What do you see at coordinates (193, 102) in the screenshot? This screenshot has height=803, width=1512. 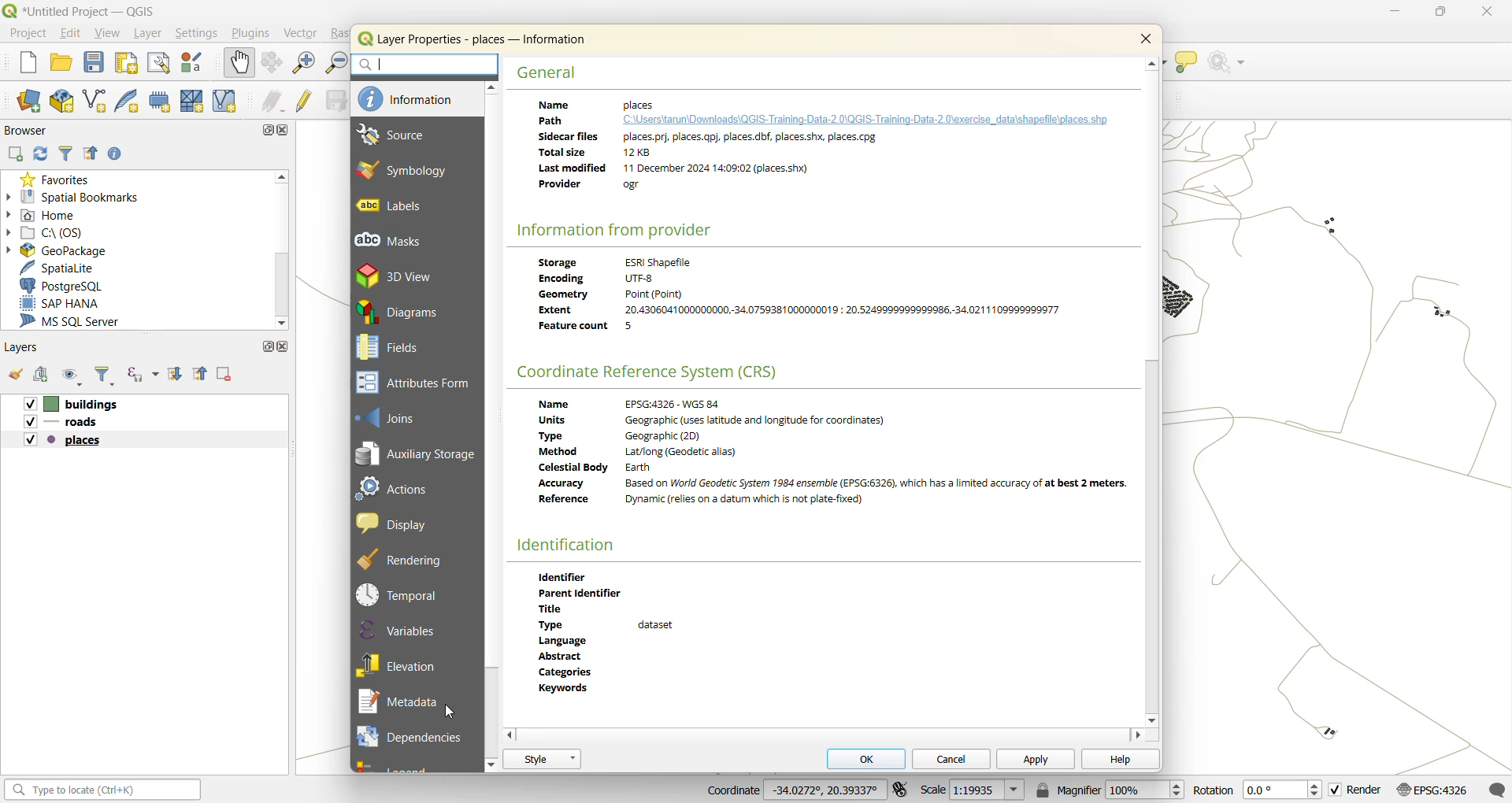 I see `new mesh` at bounding box center [193, 102].